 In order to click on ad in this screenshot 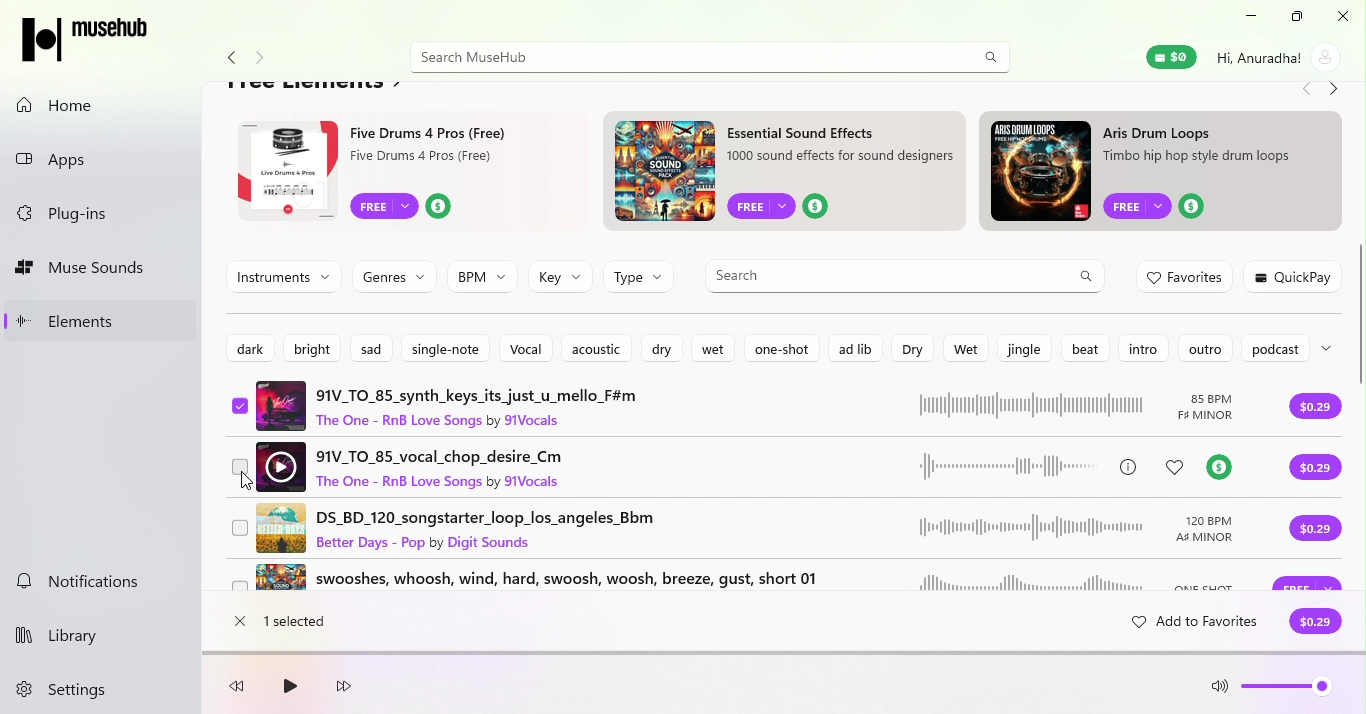, I will do `click(788, 174)`.